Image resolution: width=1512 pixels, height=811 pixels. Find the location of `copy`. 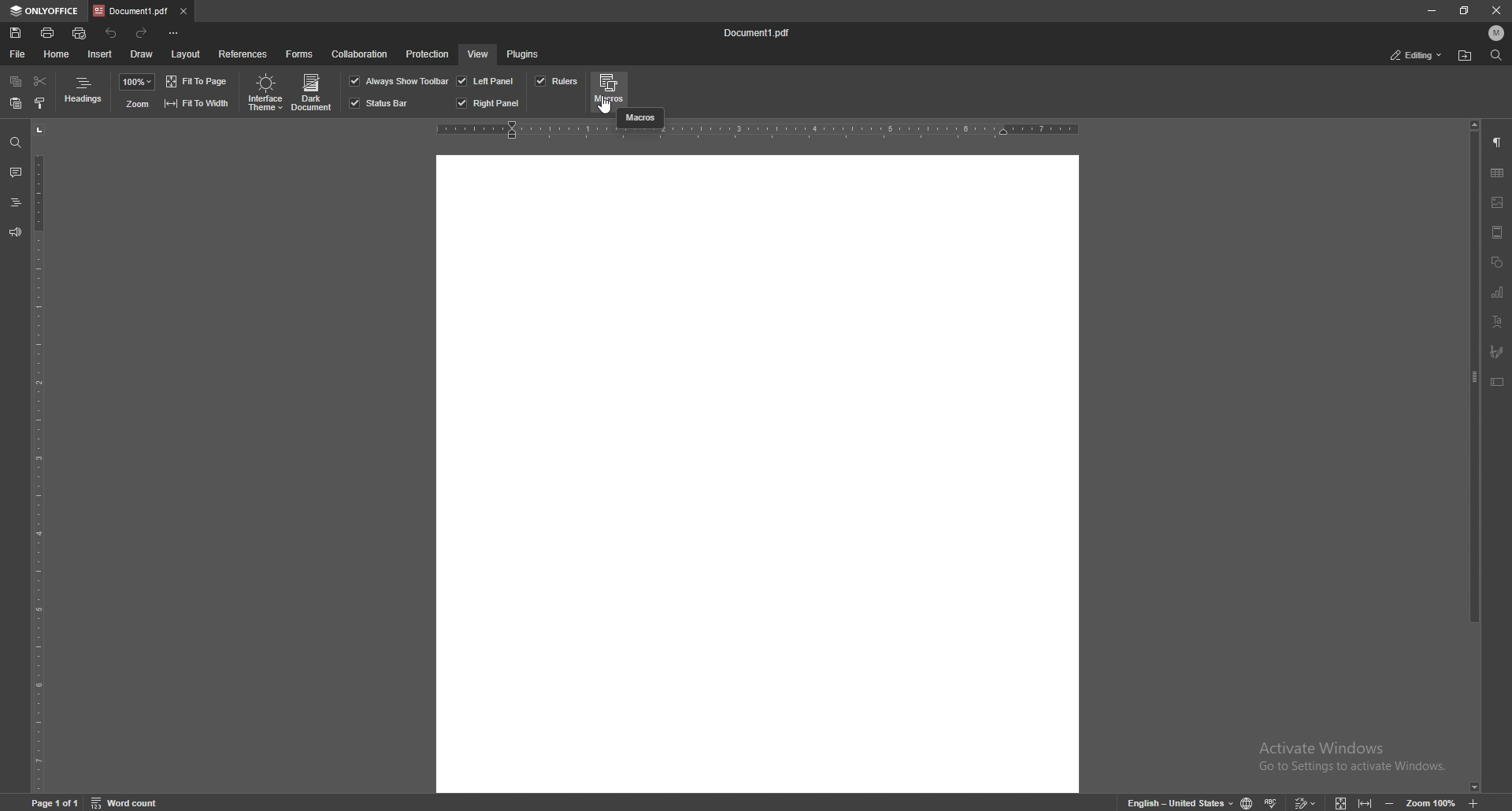

copy is located at coordinates (16, 83).